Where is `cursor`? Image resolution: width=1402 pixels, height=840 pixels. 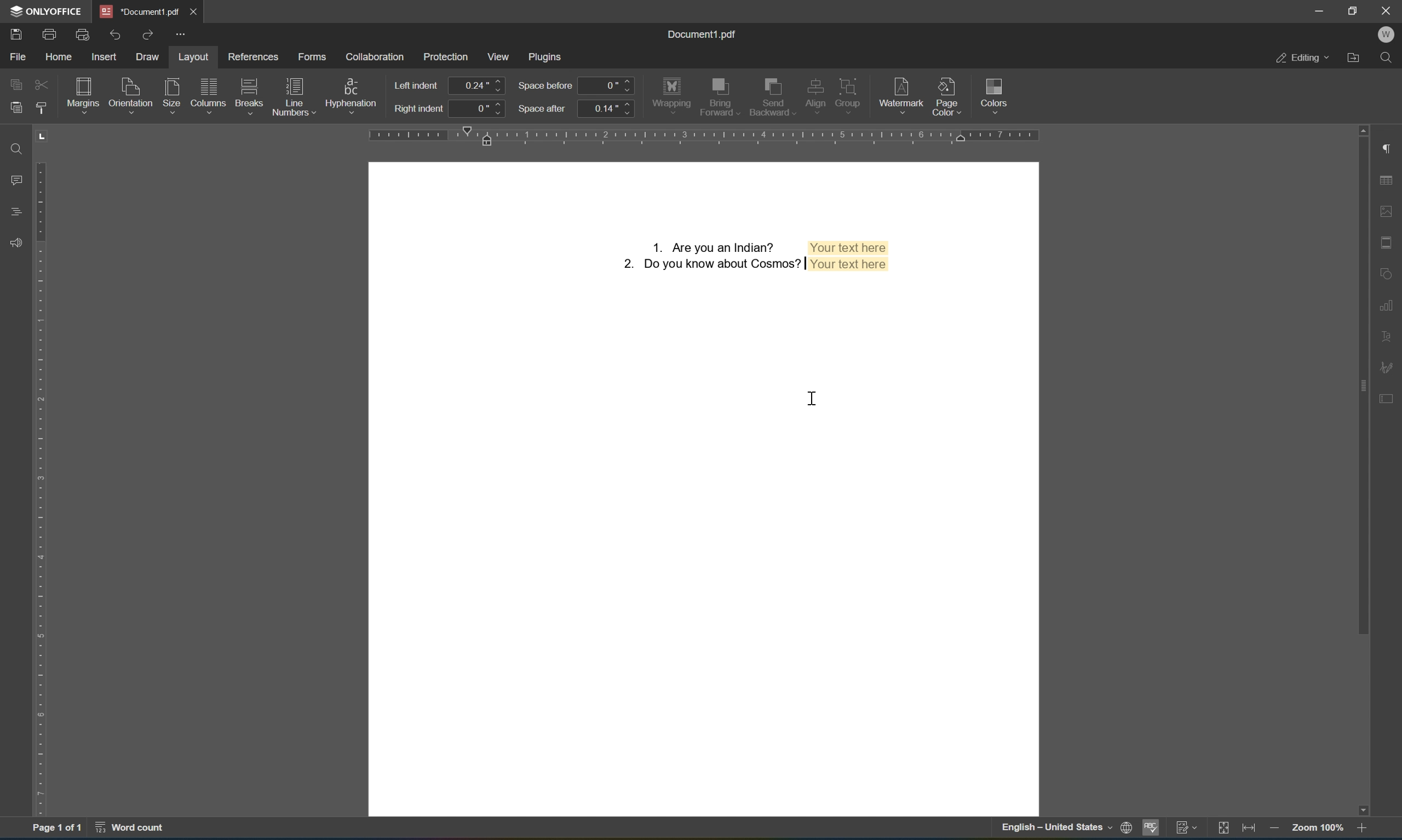 cursor is located at coordinates (810, 399).